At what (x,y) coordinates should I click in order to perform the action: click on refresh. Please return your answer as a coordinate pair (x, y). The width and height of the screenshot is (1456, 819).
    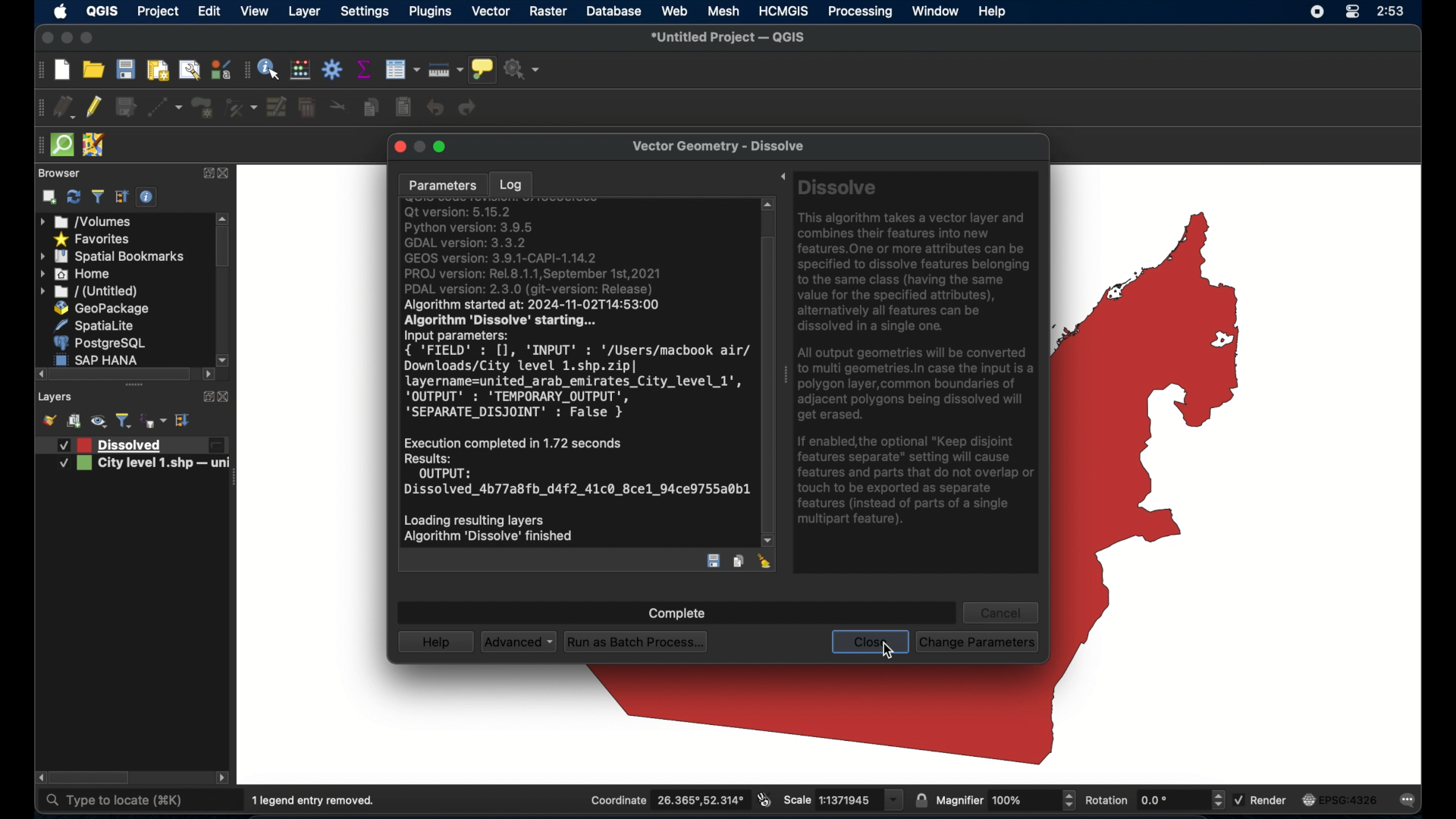
    Looking at the image, I should click on (73, 197).